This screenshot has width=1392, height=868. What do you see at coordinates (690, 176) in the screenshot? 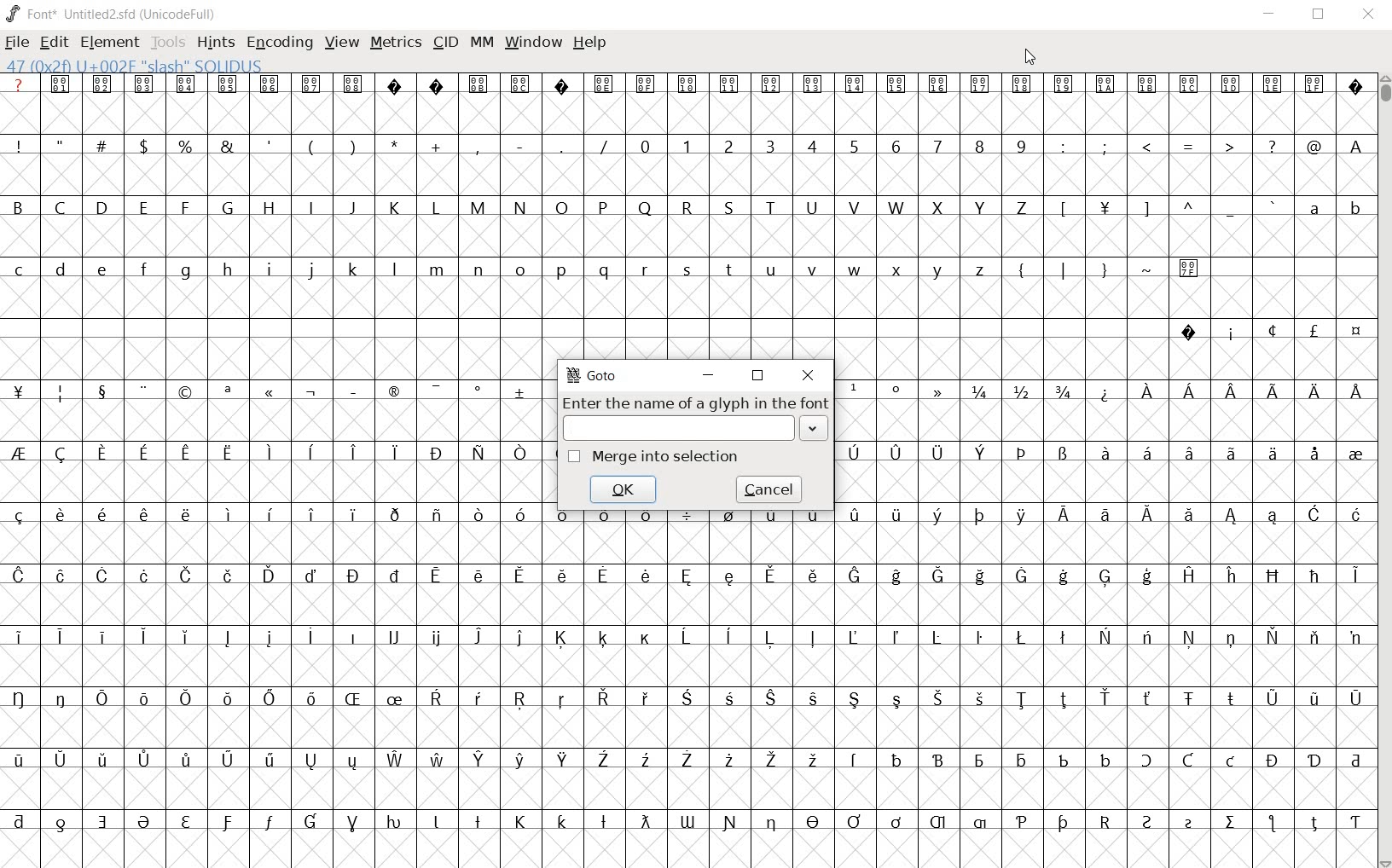
I see `empty cells` at bounding box center [690, 176].